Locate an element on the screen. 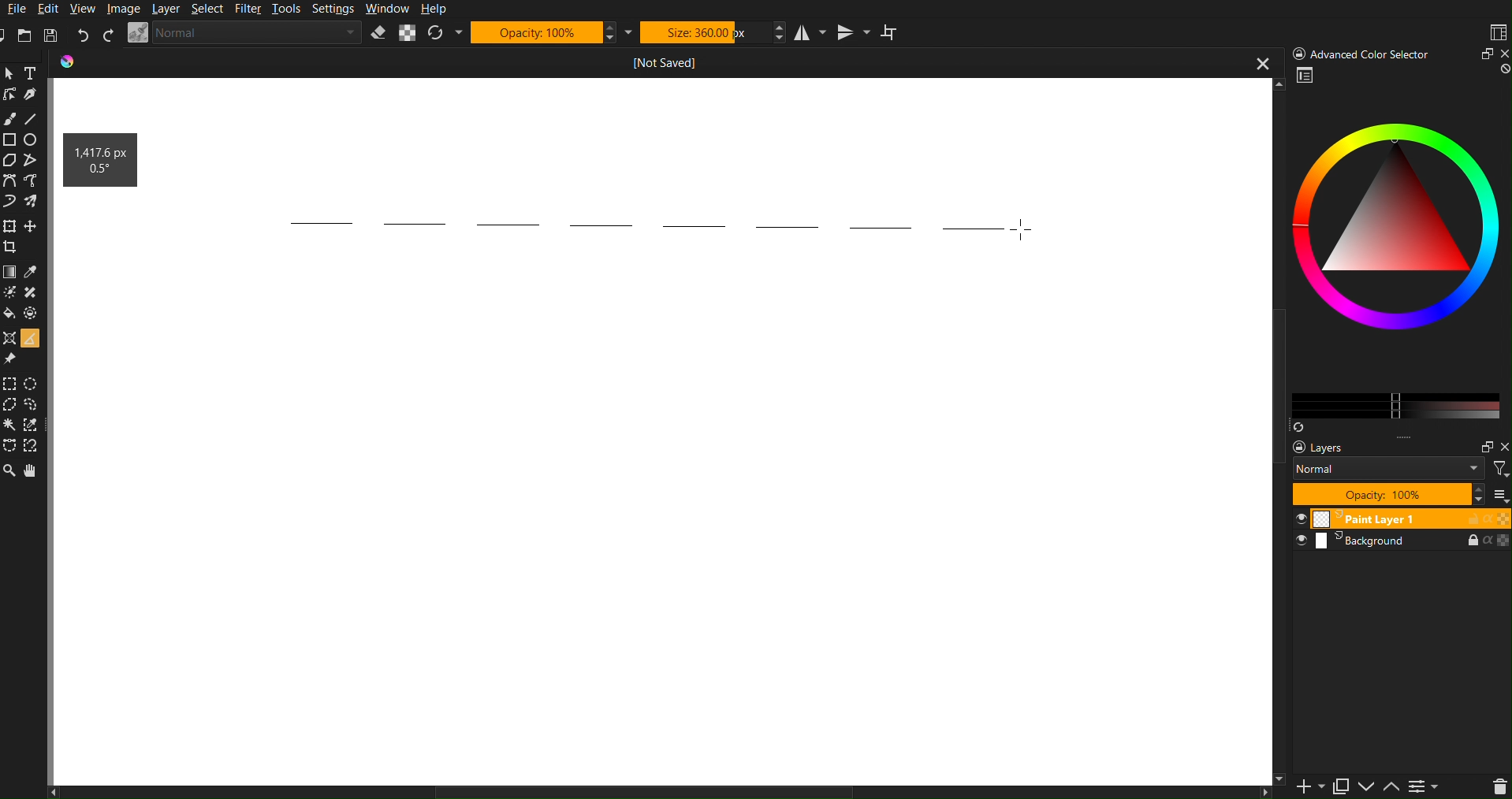 Image resolution: width=1512 pixels, height=799 pixels. Zoom is located at coordinates (10, 73).